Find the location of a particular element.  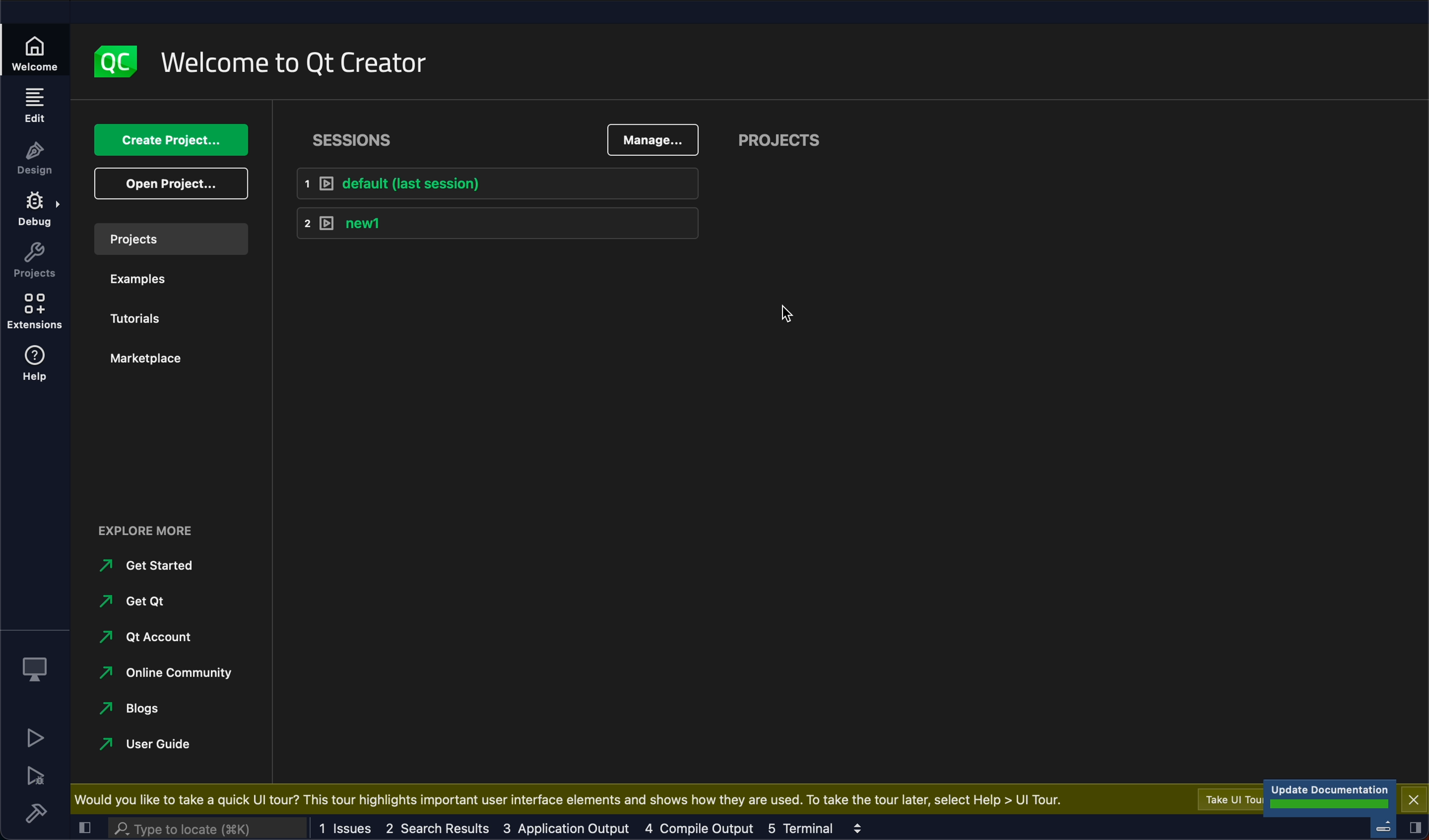

build is located at coordinates (35, 813).